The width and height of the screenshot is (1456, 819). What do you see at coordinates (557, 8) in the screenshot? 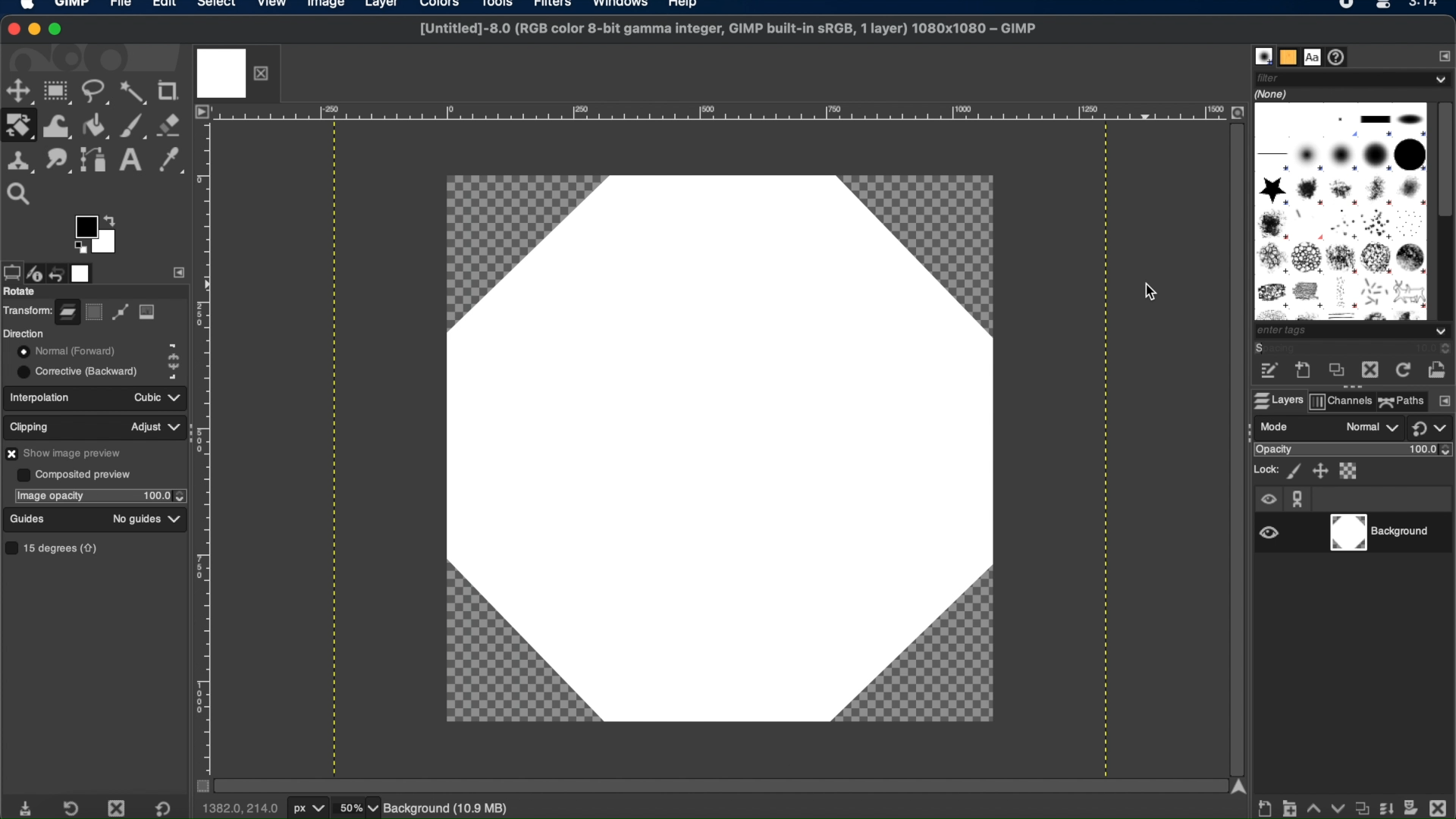
I see `filters` at bounding box center [557, 8].